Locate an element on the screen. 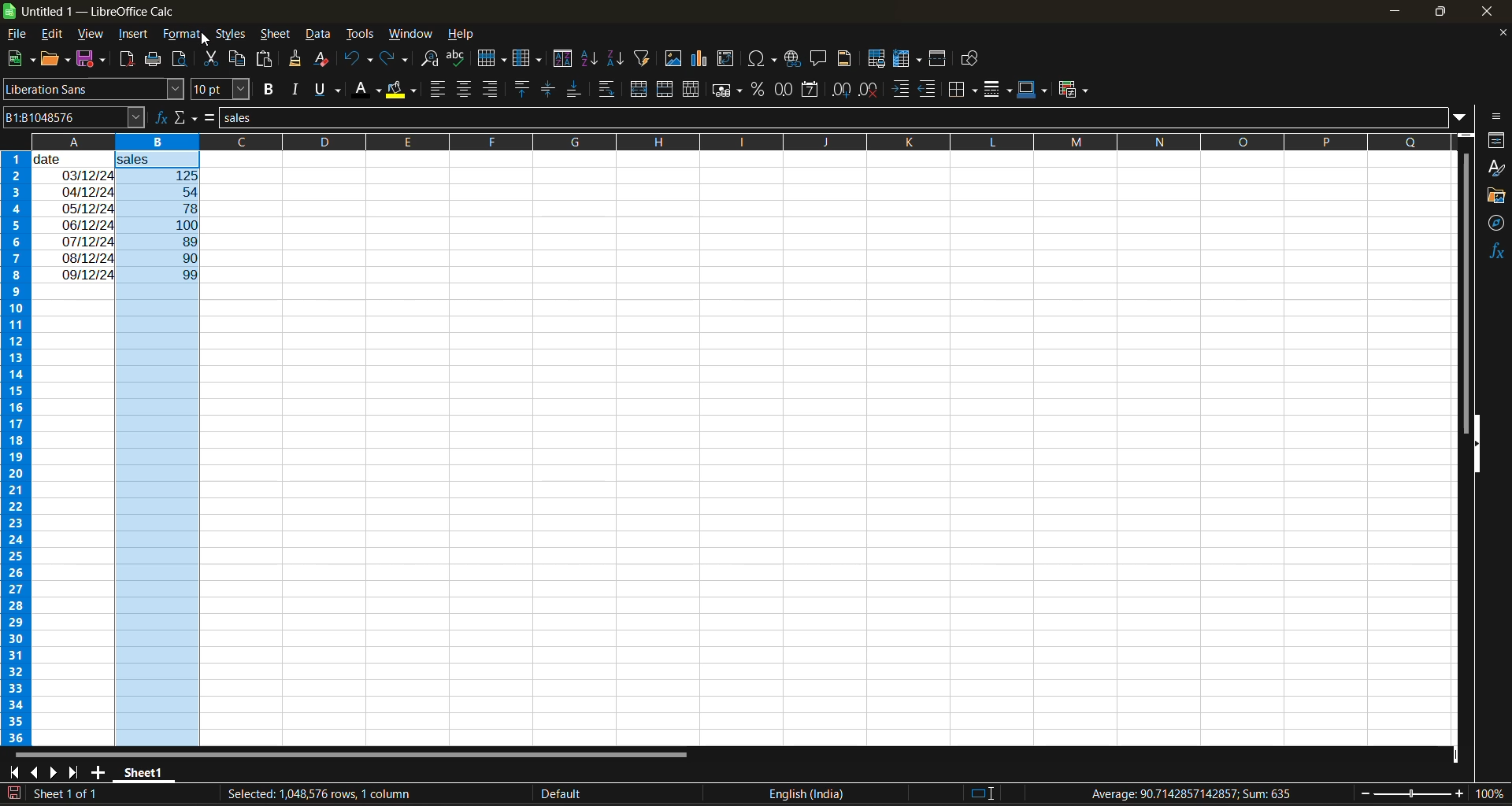 This screenshot has height=806, width=1512. border color is located at coordinates (1032, 90).